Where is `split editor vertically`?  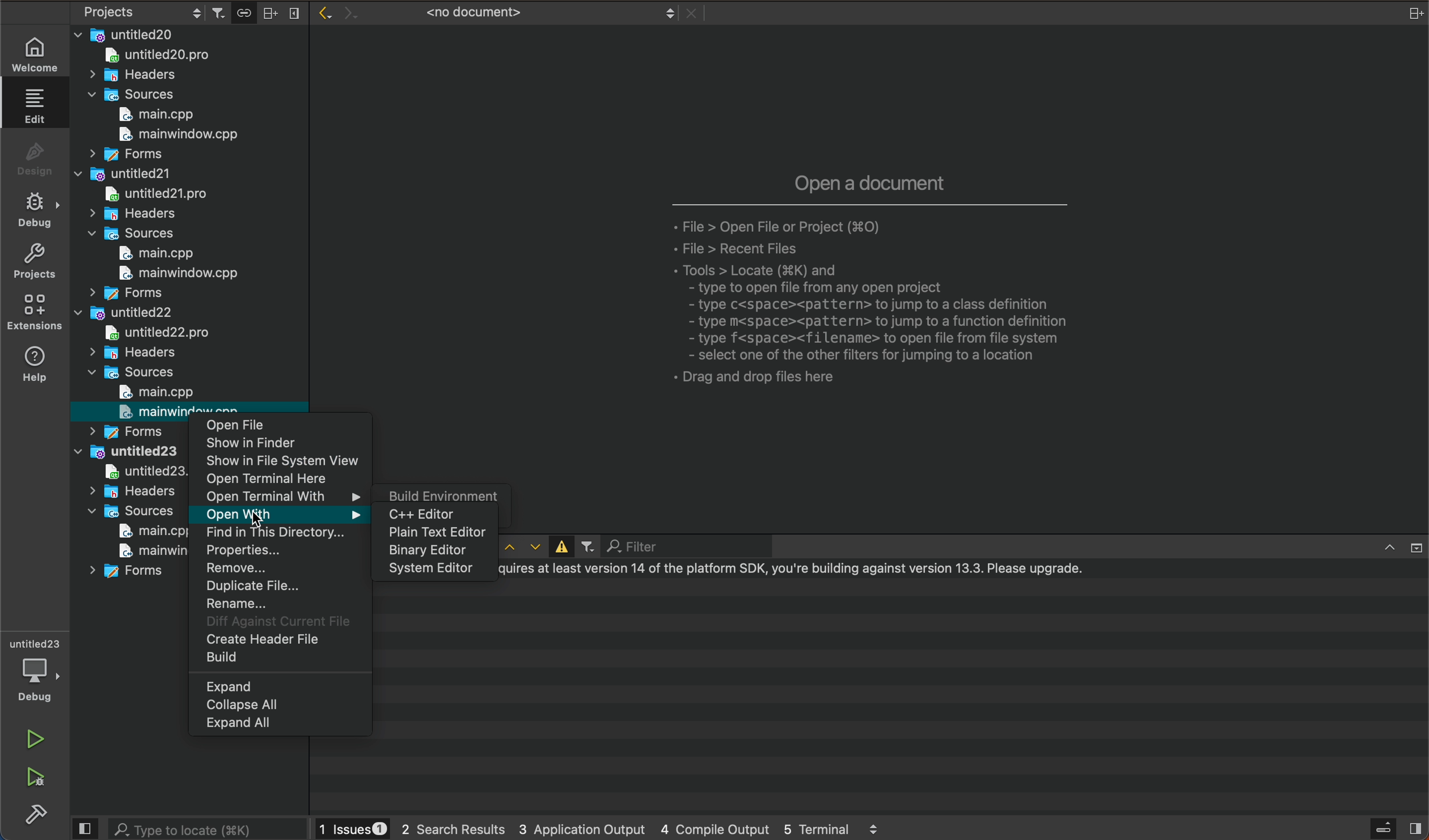 split editor vertically is located at coordinates (293, 11).